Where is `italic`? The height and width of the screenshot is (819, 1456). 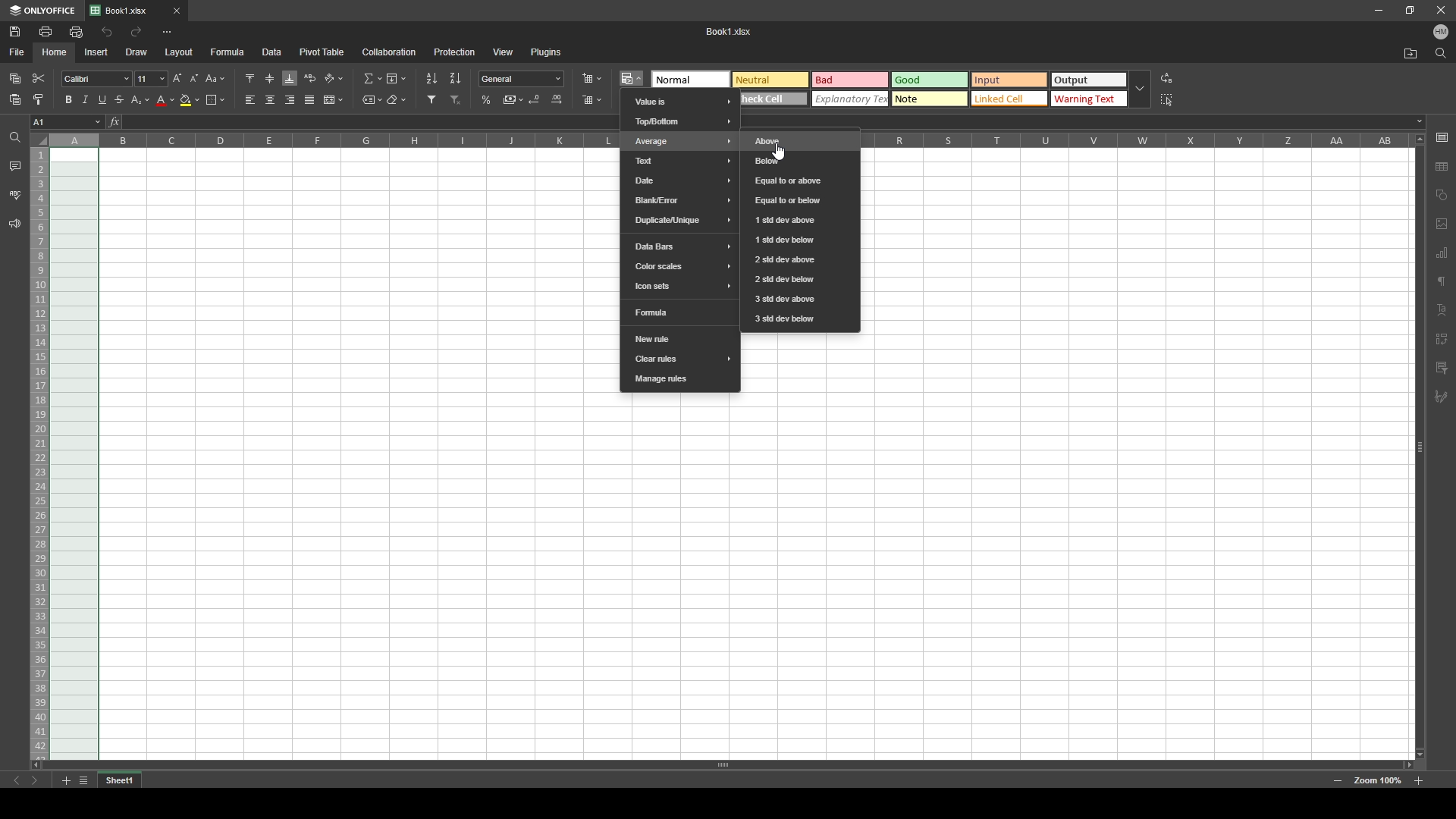 italic is located at coordinates (85, 99).